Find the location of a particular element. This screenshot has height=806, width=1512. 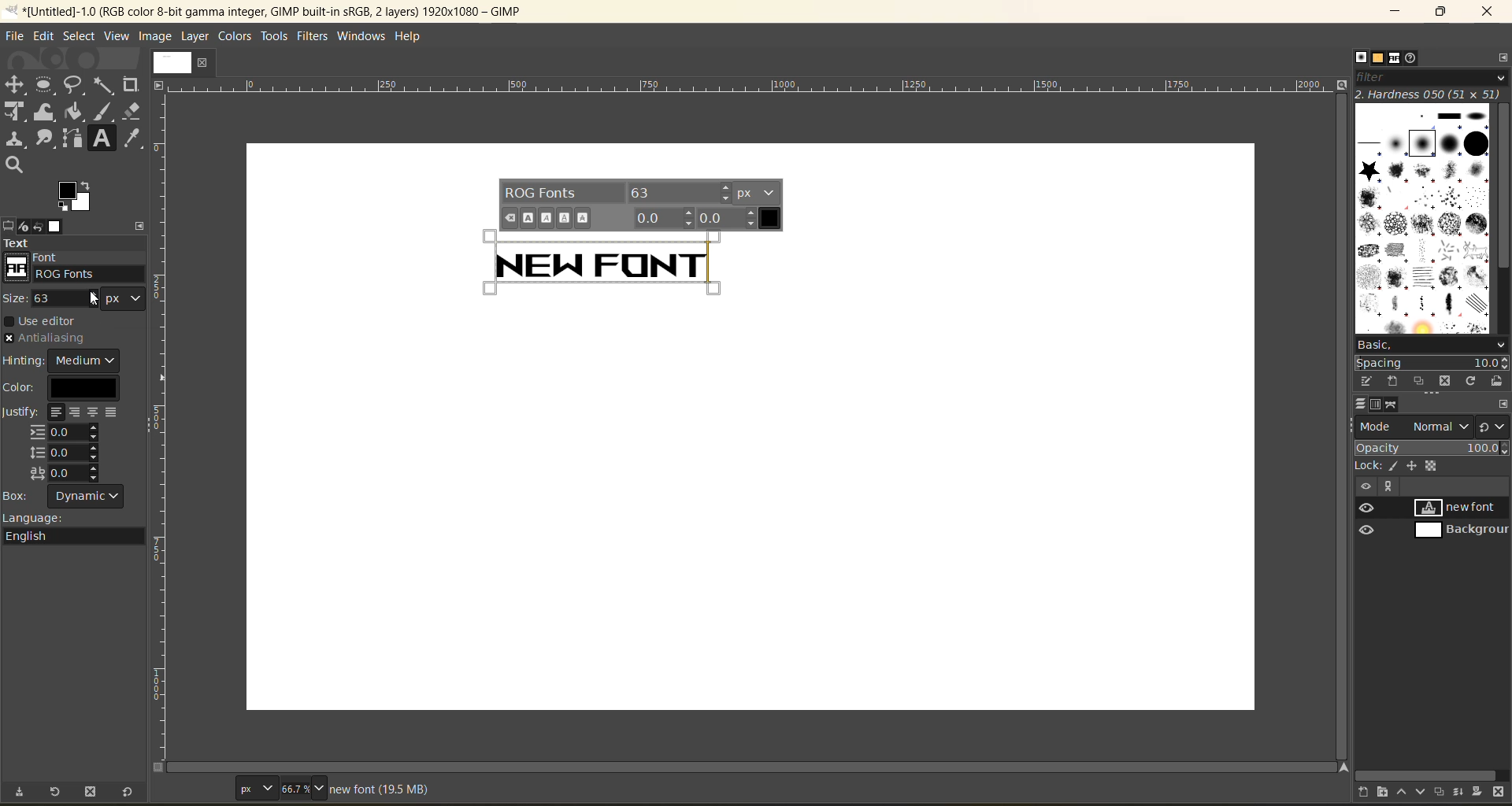

channels is located at coordinates (1380, 405).